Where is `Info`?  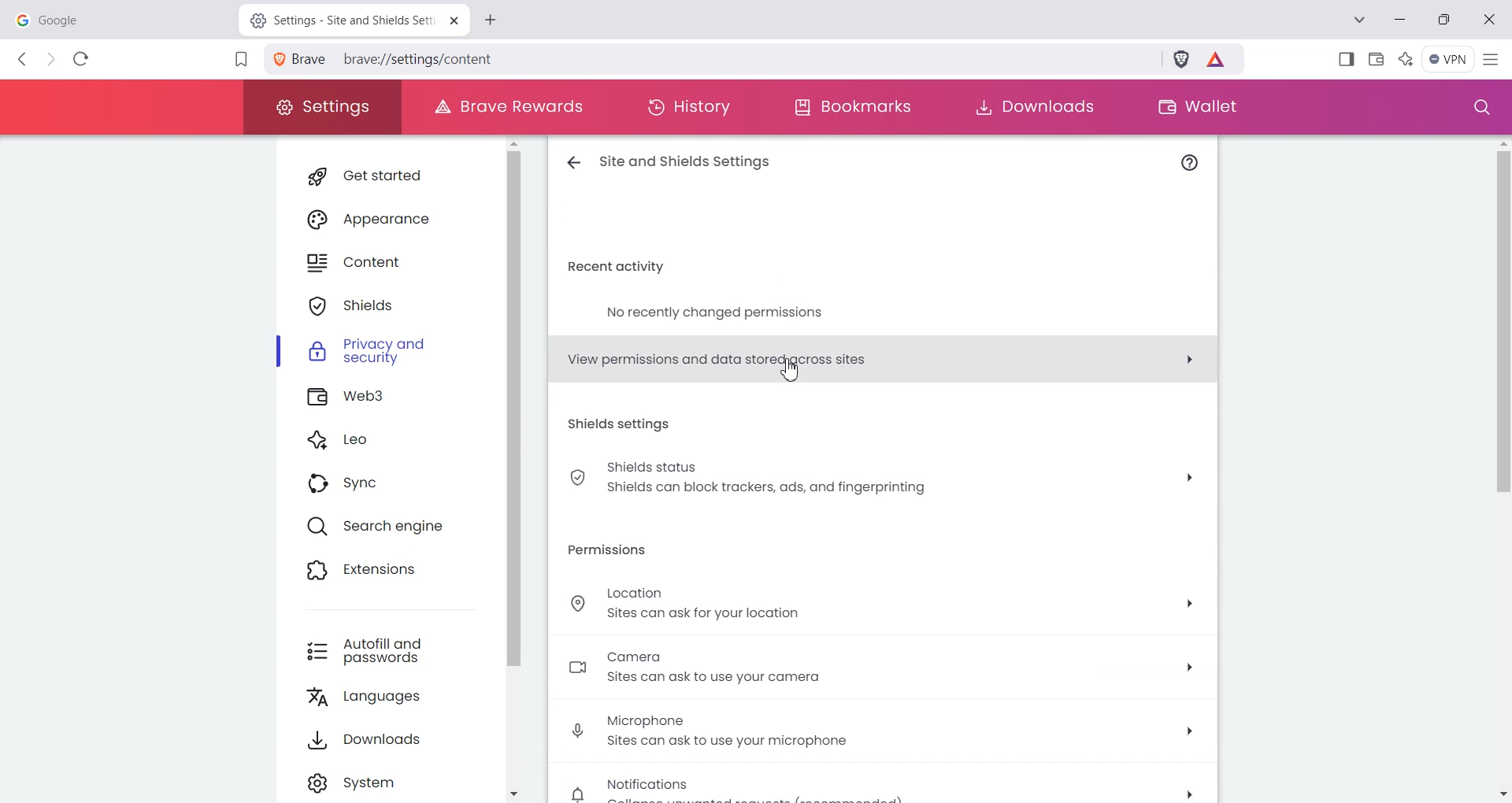
Info is located at coordinates (1189, 162).